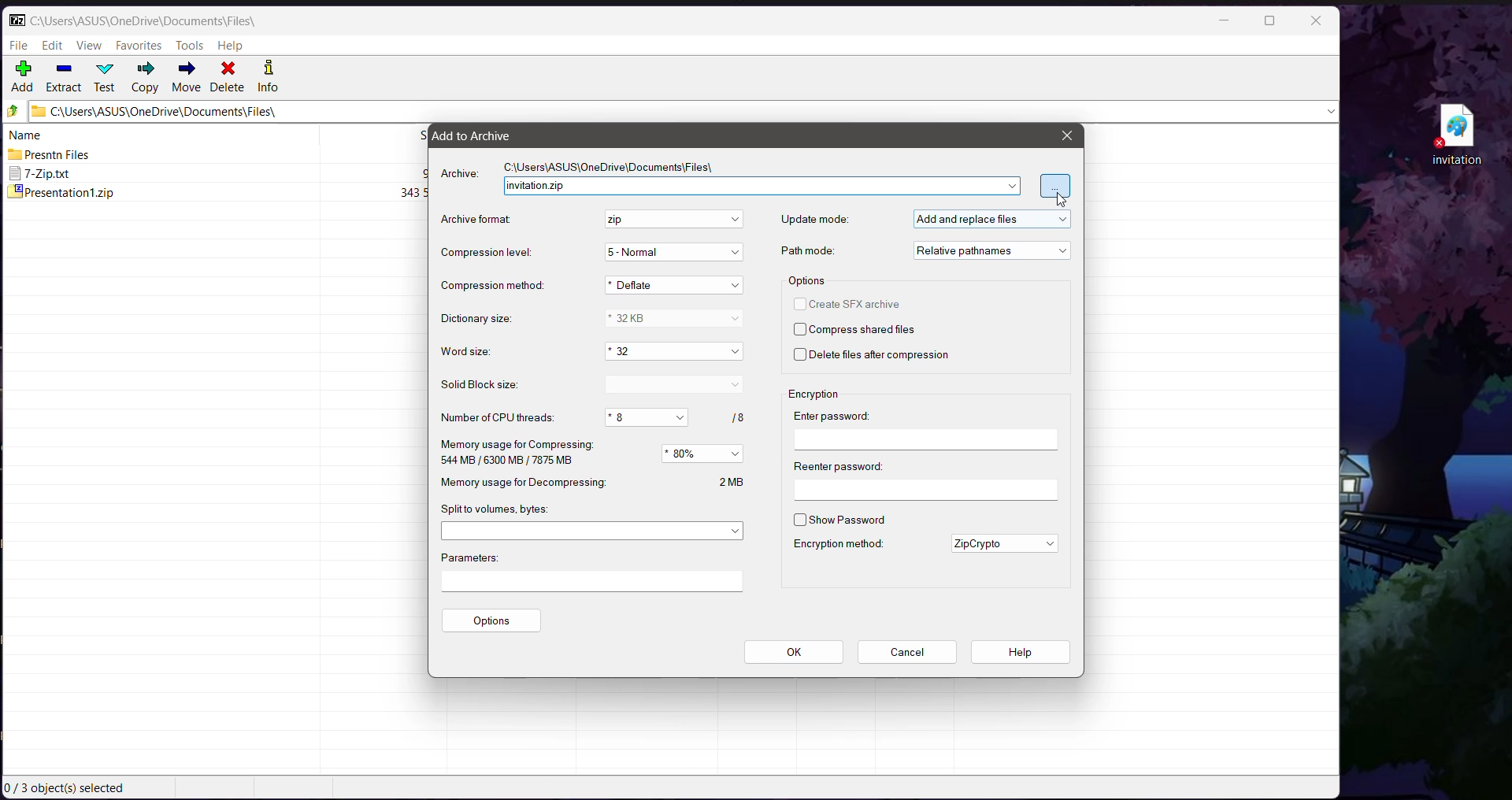 This screenshot has width=1512, height=800. Describe the element at coordinates (761, 186) in the screenshot. I see `Archive Folder Name` at that location.